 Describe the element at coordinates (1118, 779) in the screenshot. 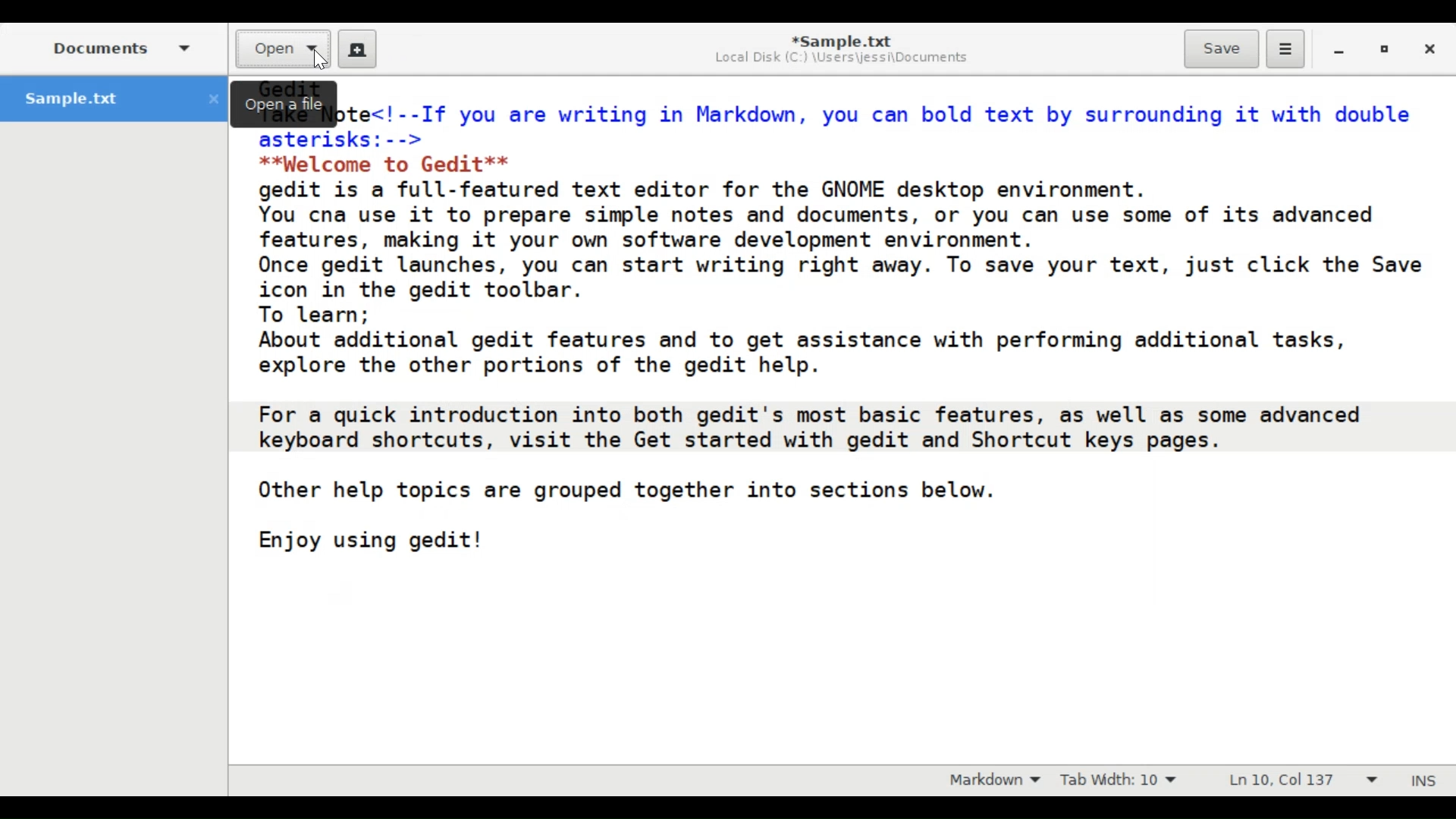

I see `Tab Width: 10` at that location.